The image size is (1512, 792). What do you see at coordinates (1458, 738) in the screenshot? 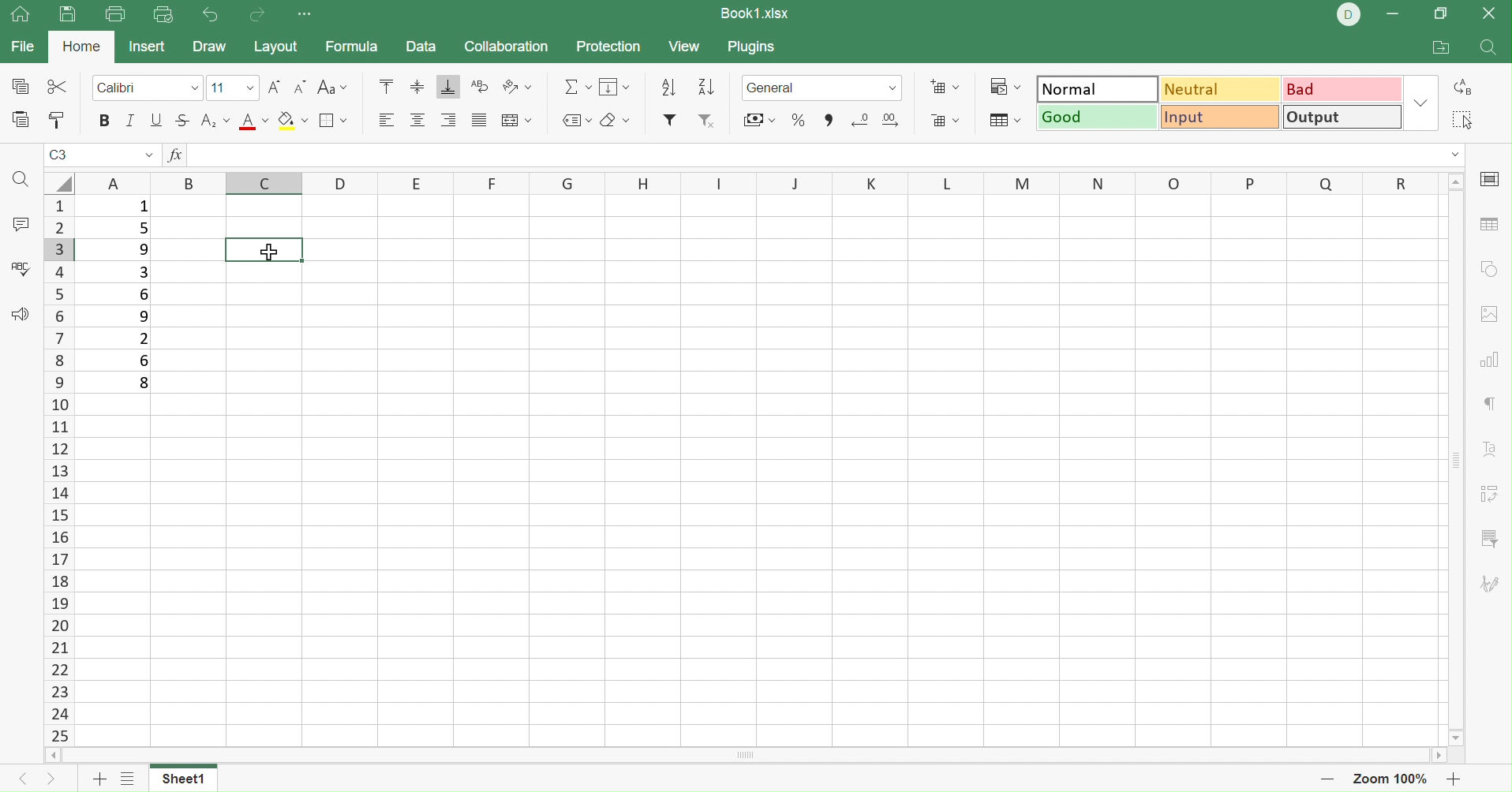
I see `Scroll down` at bounding box center [1458, 738].